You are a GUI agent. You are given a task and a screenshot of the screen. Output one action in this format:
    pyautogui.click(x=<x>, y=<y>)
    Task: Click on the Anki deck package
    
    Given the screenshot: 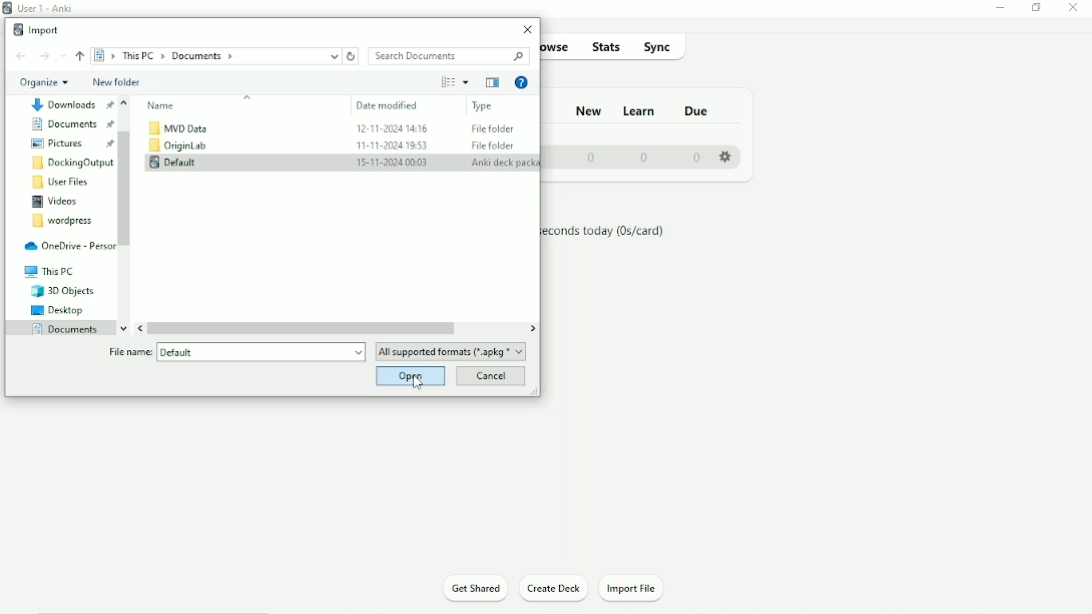 What is the action you would take?
    pyautogui.click(x=504, y=164)
    